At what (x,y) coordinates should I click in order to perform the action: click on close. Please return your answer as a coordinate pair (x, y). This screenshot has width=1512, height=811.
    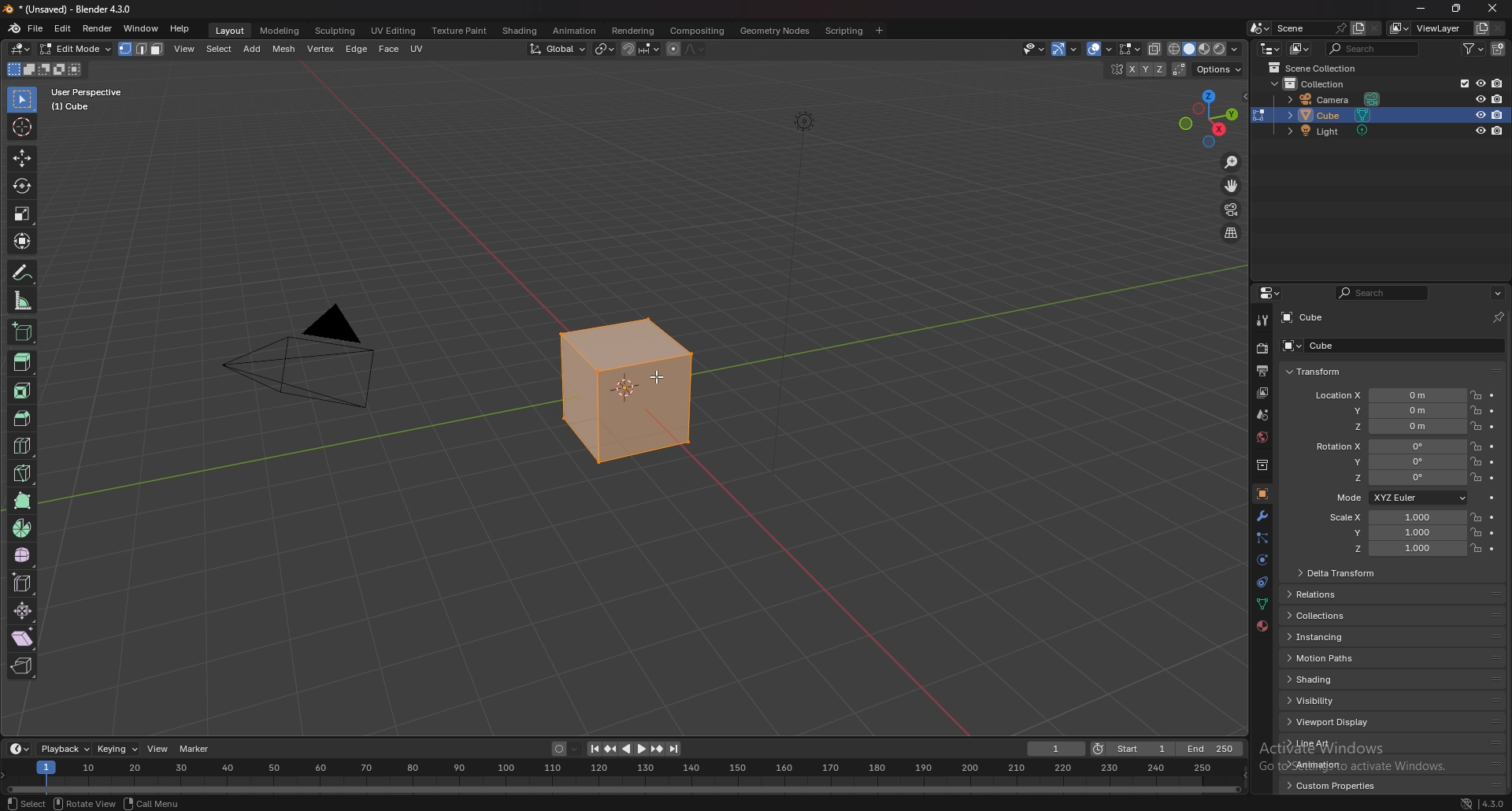
    Looking at the image, I should click on (1494, 7).